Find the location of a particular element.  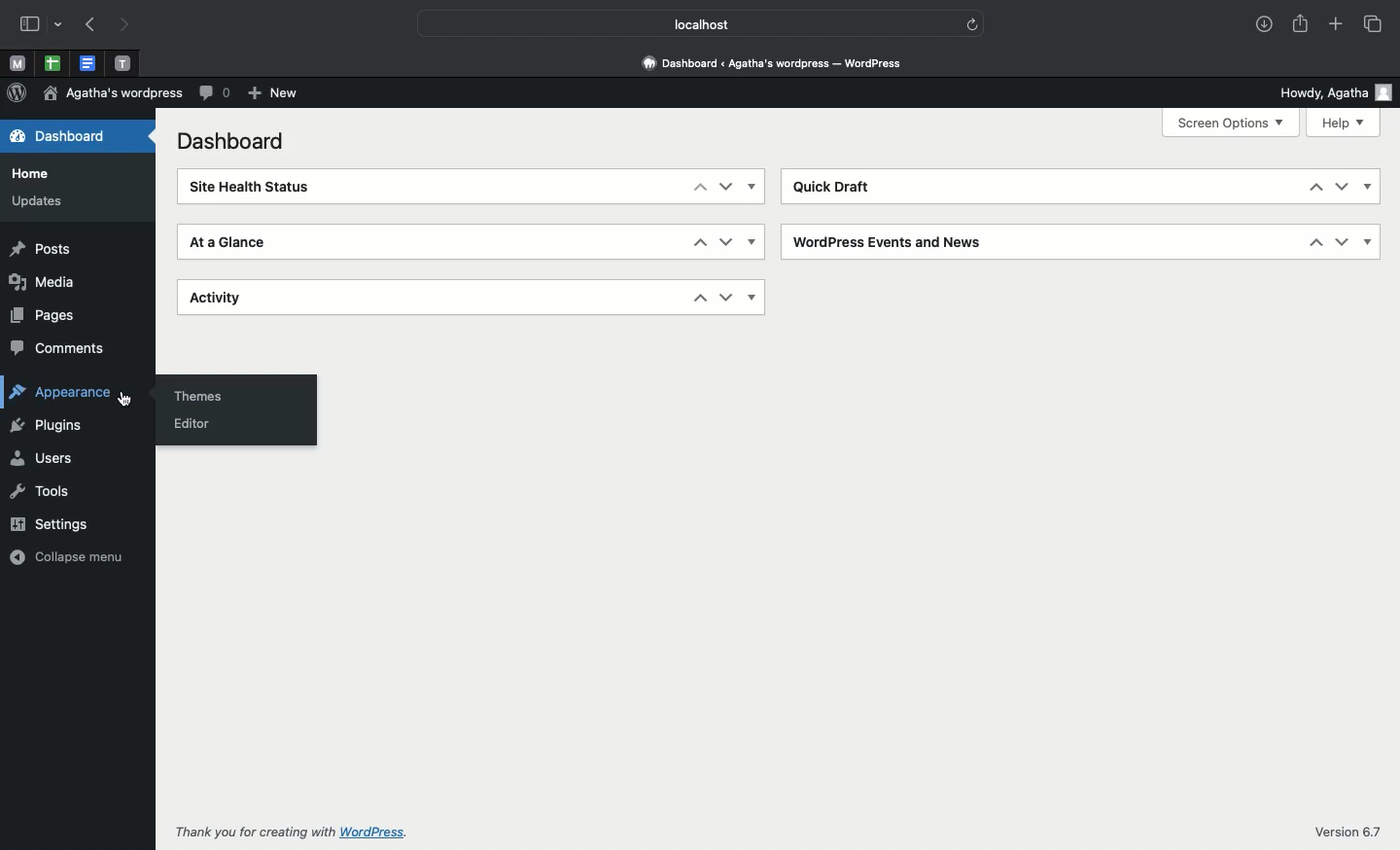

Up is located at coordinates (1317, 241).